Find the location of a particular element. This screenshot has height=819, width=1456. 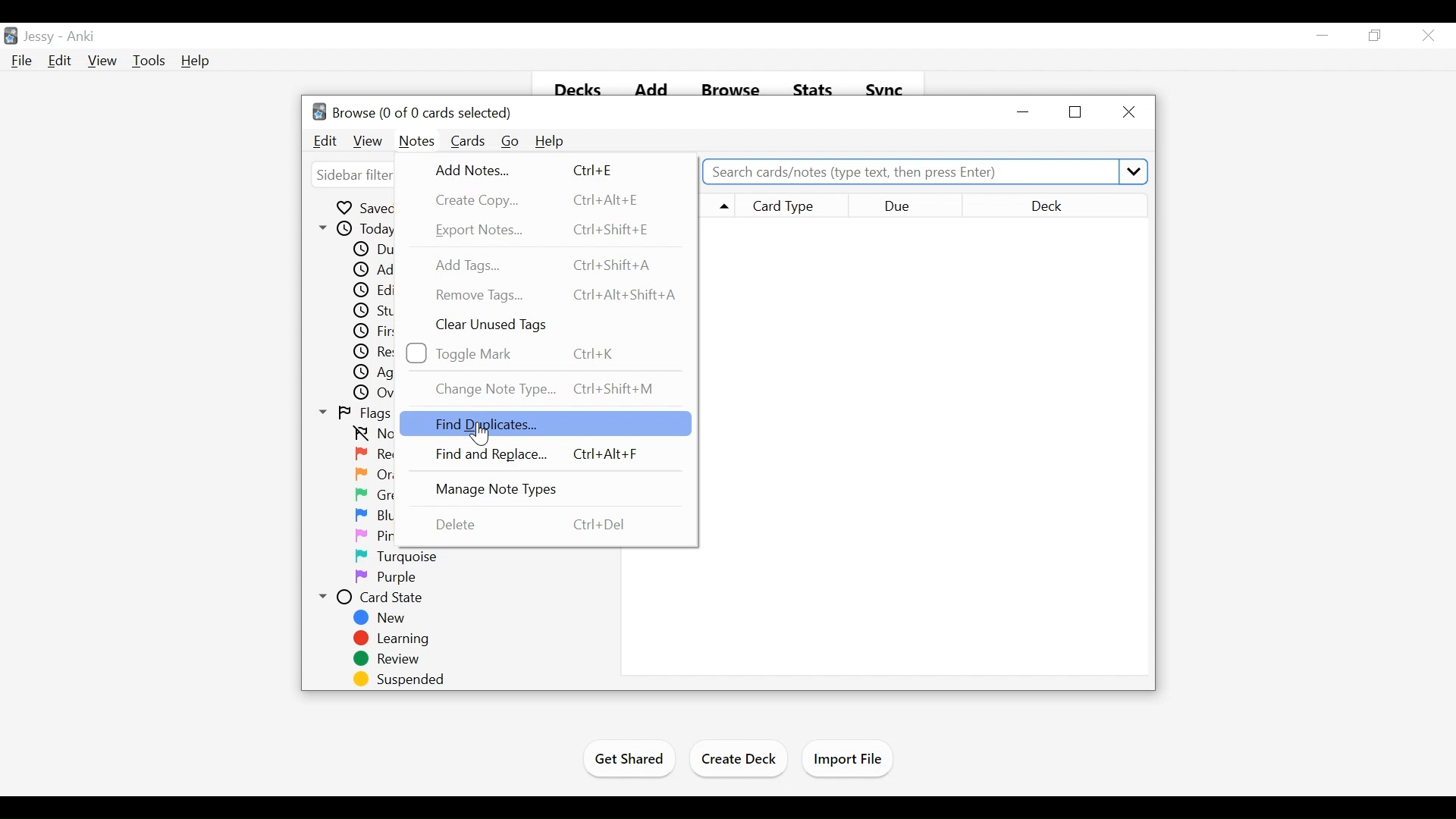

Anki is located at coordinates (81, 38).